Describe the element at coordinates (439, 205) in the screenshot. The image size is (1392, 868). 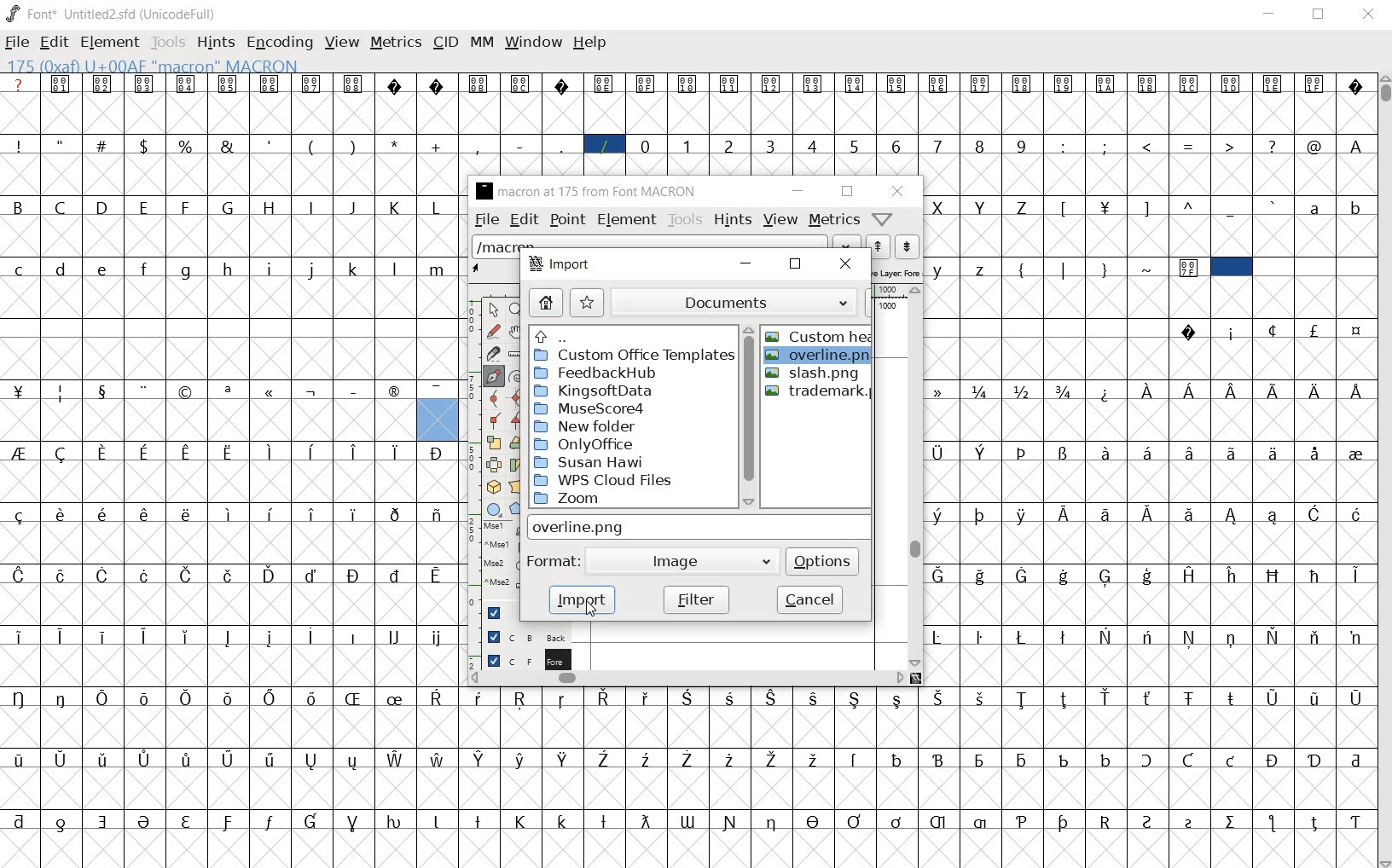
I see `L` at that location.